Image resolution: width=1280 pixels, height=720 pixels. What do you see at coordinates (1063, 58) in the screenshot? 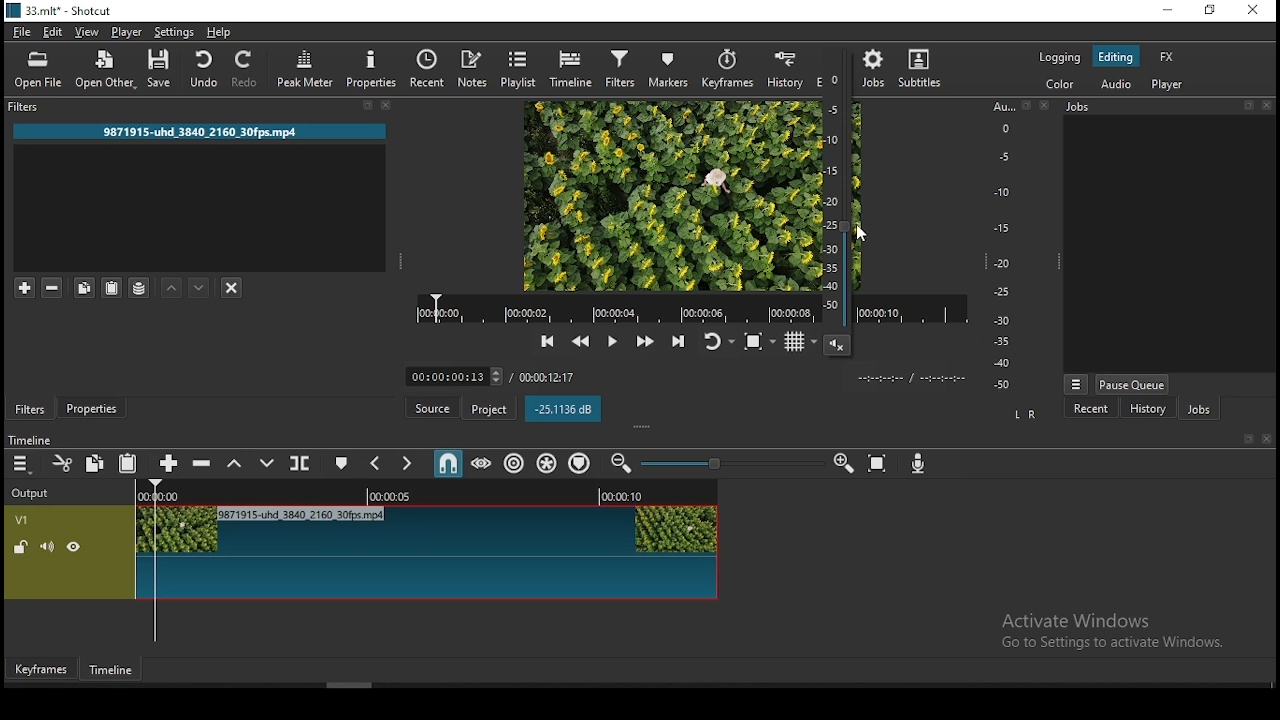
I see `logging` at bounding box center [1063, 58].